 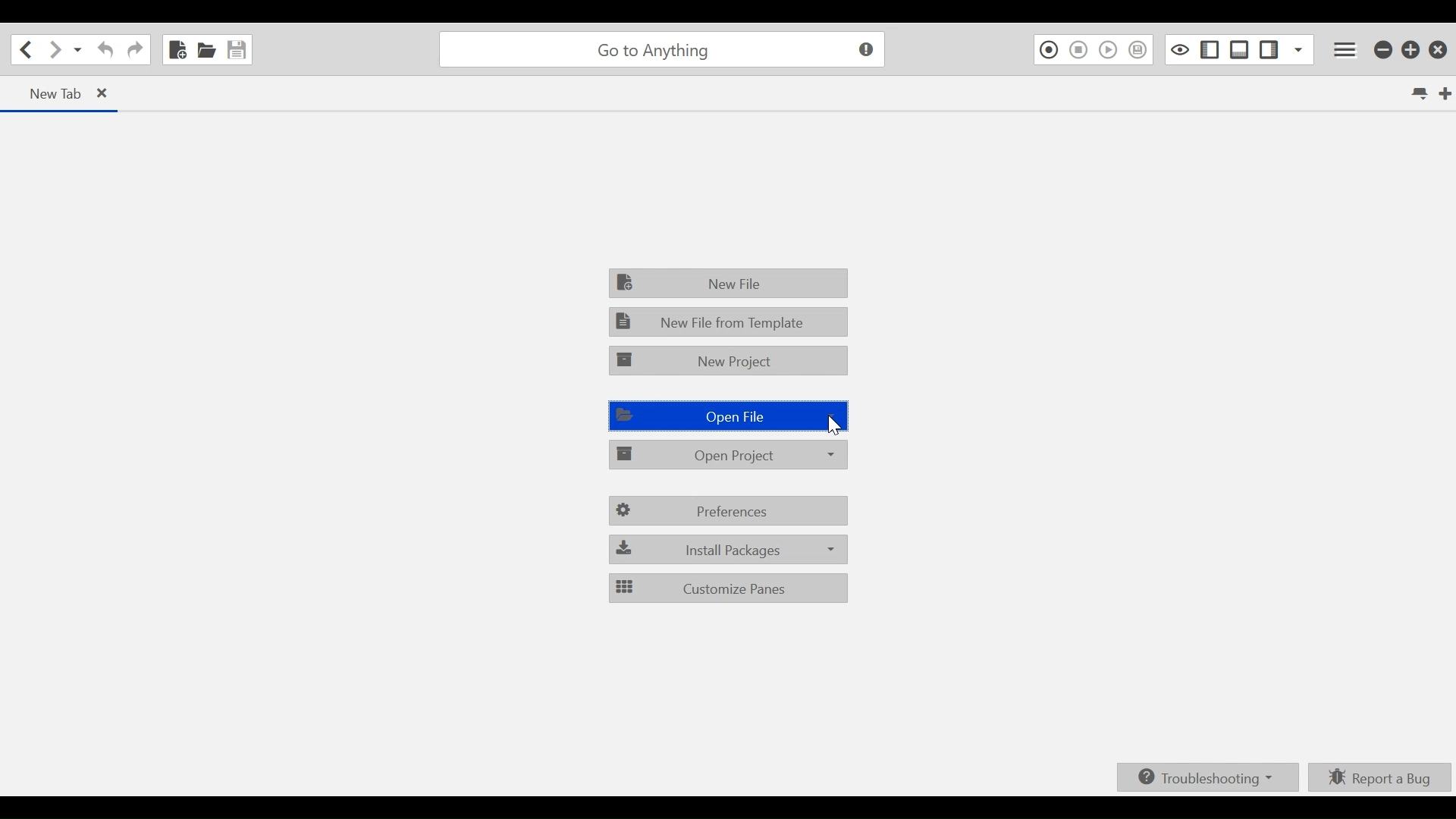 I want to click on Toggle focus mode, so click(x=1180, y=49).